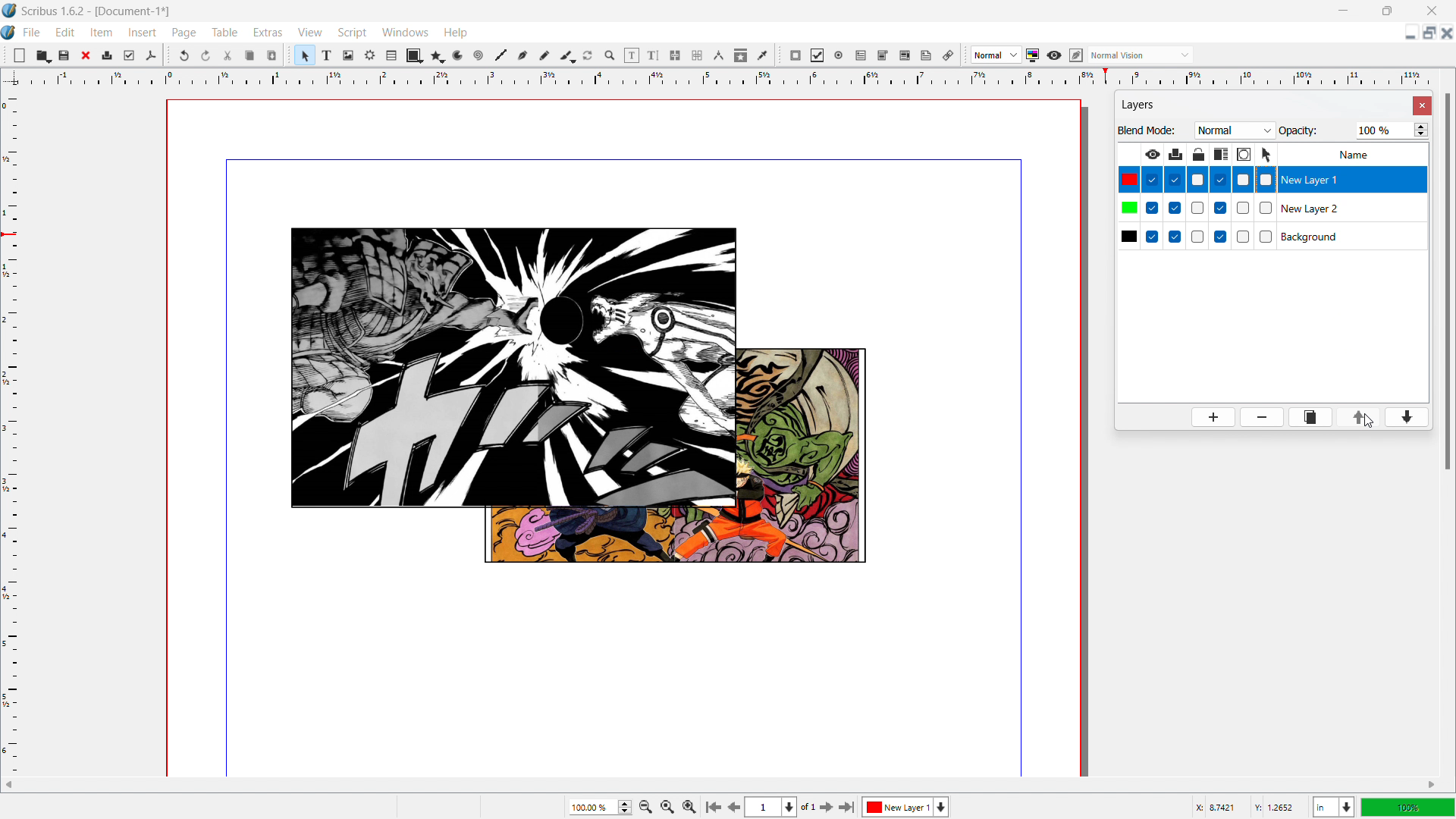 This screenshot has width=1456, height=819. I want to click on select items, so click(306, 55).